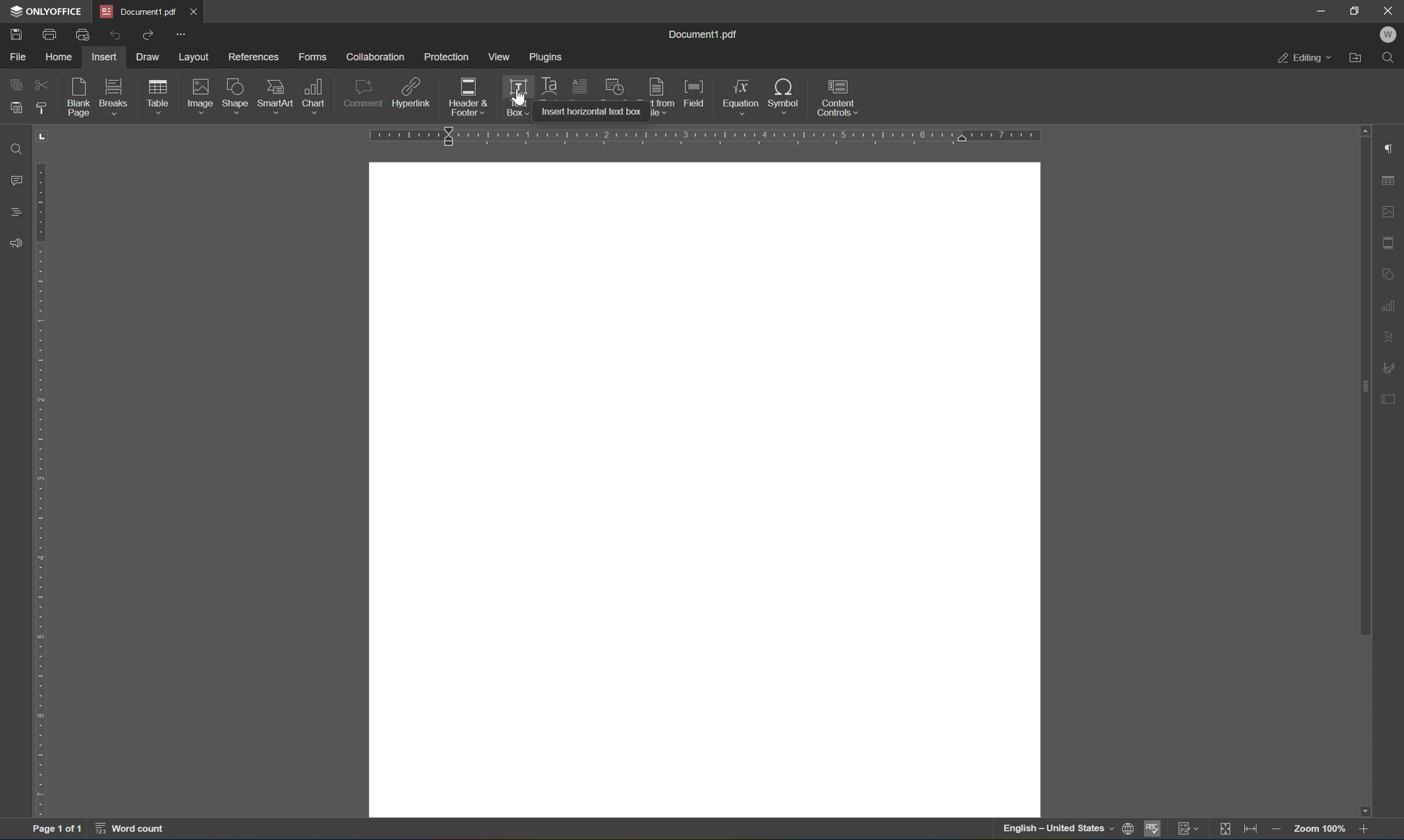 This screenshot has width=1404, height=840. What do you see at coordinates (1389, 338) in the screenshot?
I see `text art settings` at bounding box center [1389, 338].